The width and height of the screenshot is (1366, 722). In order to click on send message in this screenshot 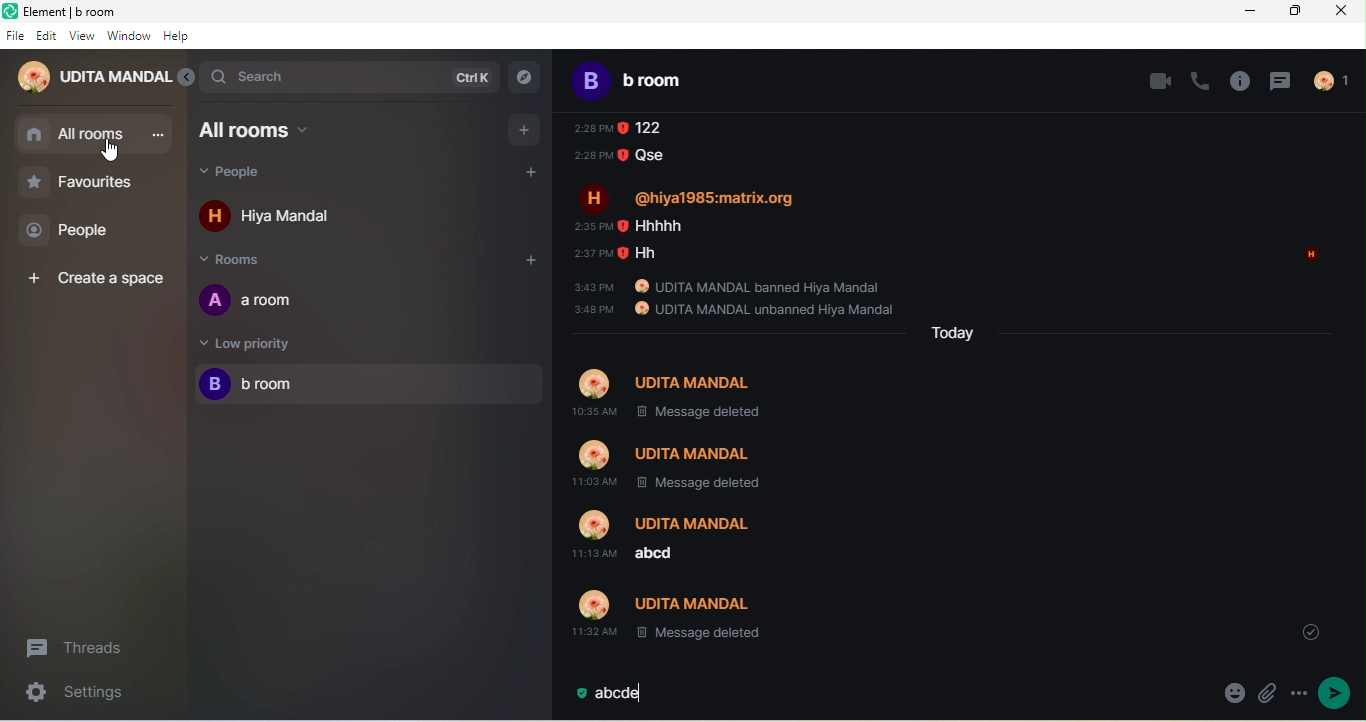, I will do `click(1336, 693)`.